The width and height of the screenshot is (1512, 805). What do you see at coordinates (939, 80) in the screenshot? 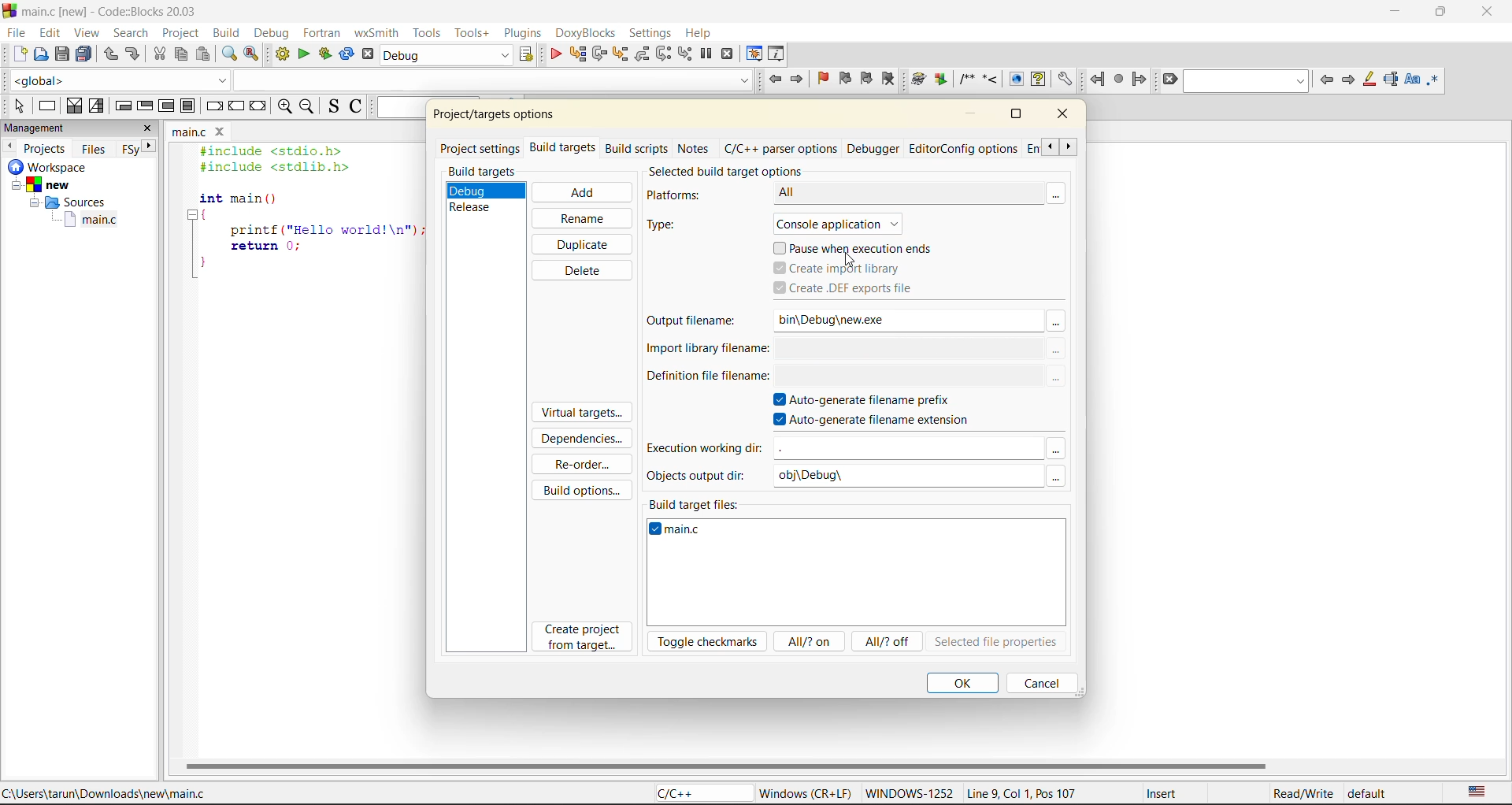
I see `Extract documentation for the current project` at bounding box center [939, 80].